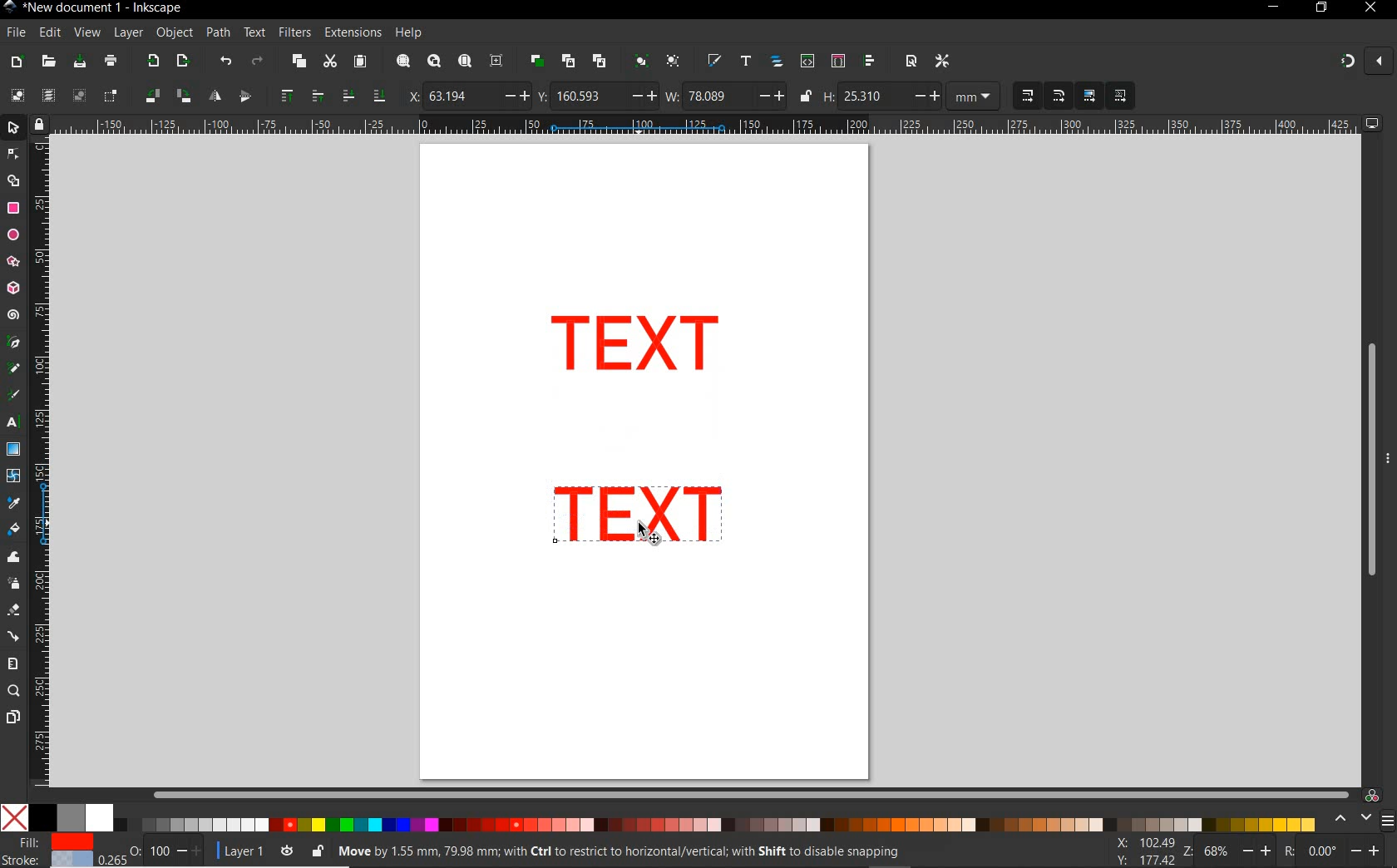 The height and width of the screenshot is (868, 1397). I want to click on spray tool, so click(13, 583).